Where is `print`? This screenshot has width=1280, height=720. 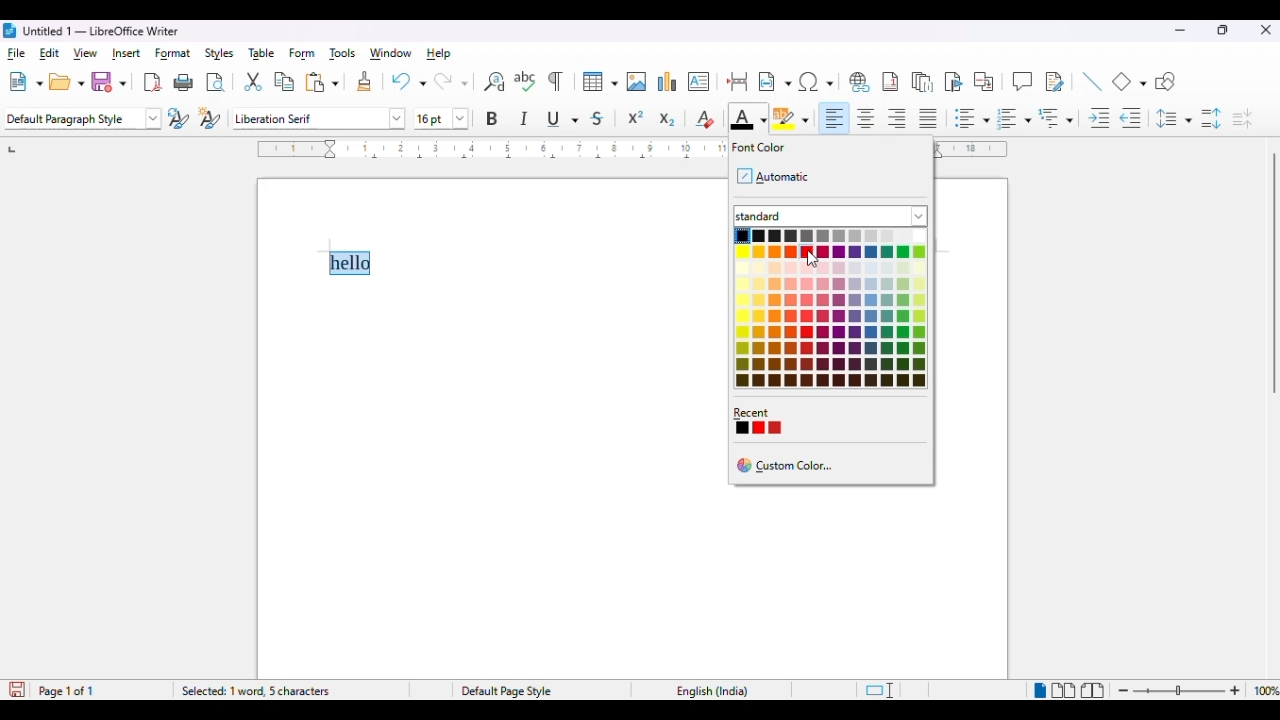 print is located at coordinates (183, 83).